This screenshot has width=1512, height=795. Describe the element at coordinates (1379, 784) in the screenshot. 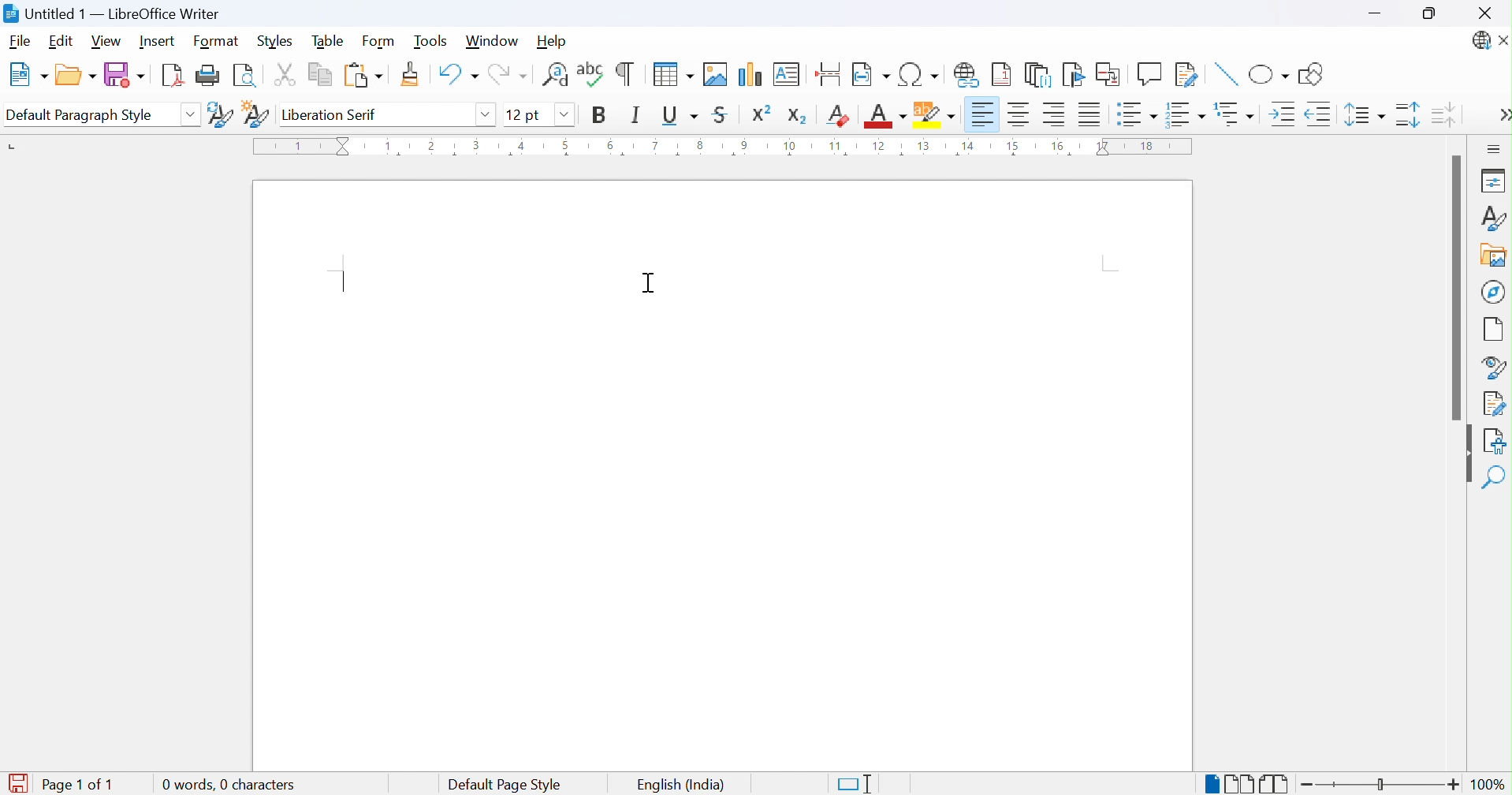

I see `Slider` at that location.